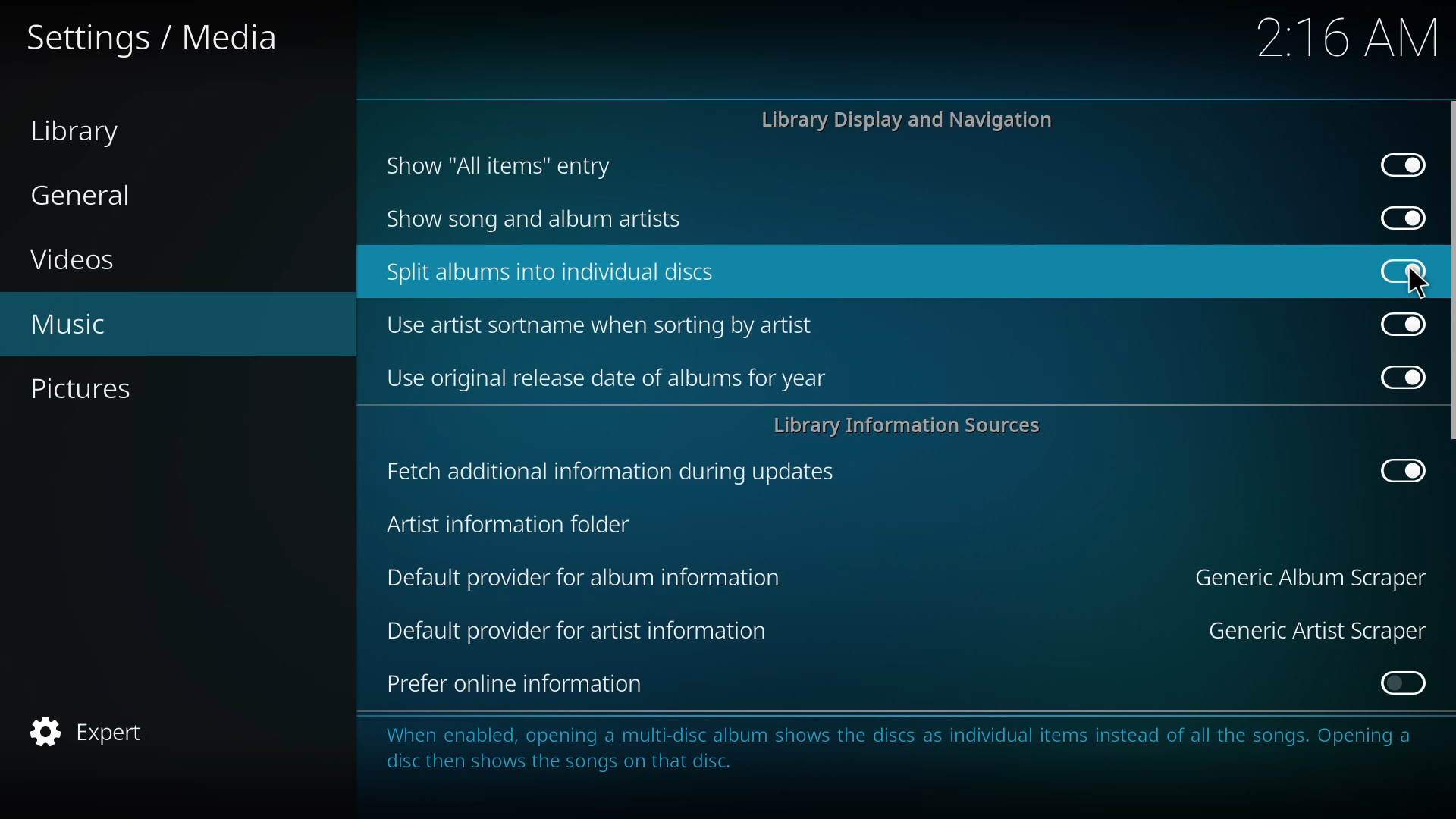 The image size is (1456, 819). I want to click on artist info folder, so click(508, 526).